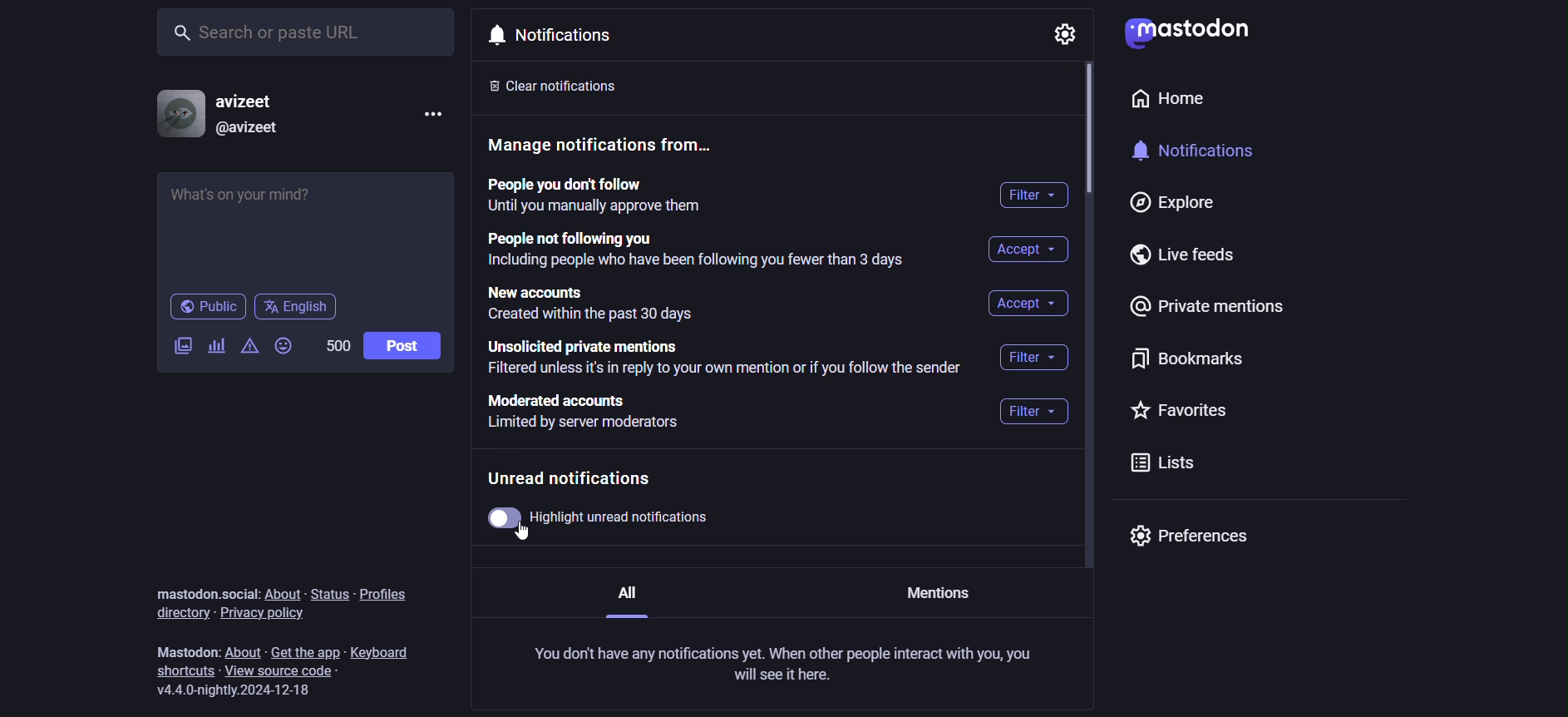 This screenshot has height=717, width=1568. What do you see at coordinates (1166, 98) in the screenshot?
I see `home` at bounding box center [1166, 98].